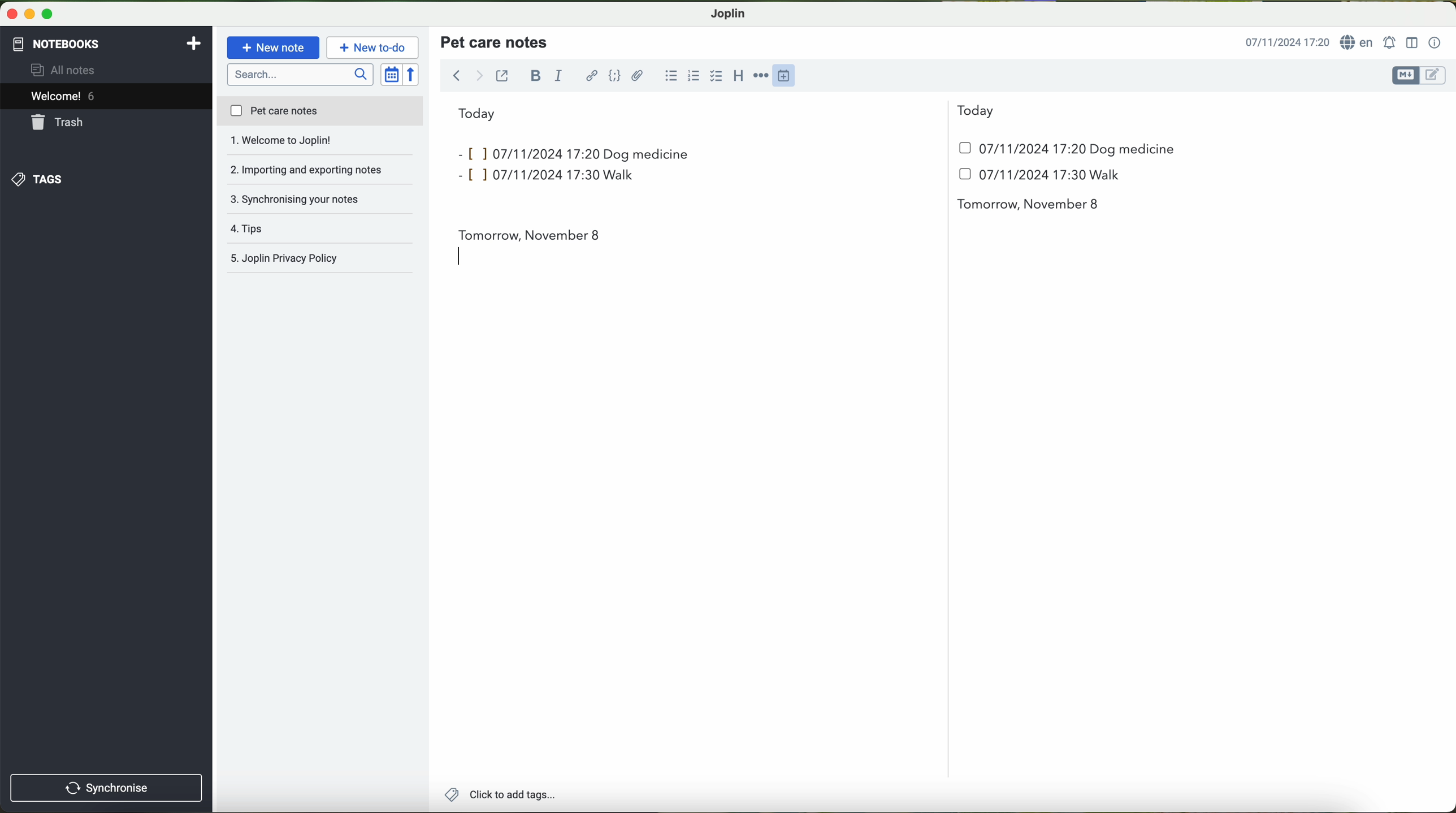 The width and height of the screenshot is (1456, 813). What do you see at coordinates (36, 179) in the screenshot?
I see `tags` at bounding box center [36, 179].